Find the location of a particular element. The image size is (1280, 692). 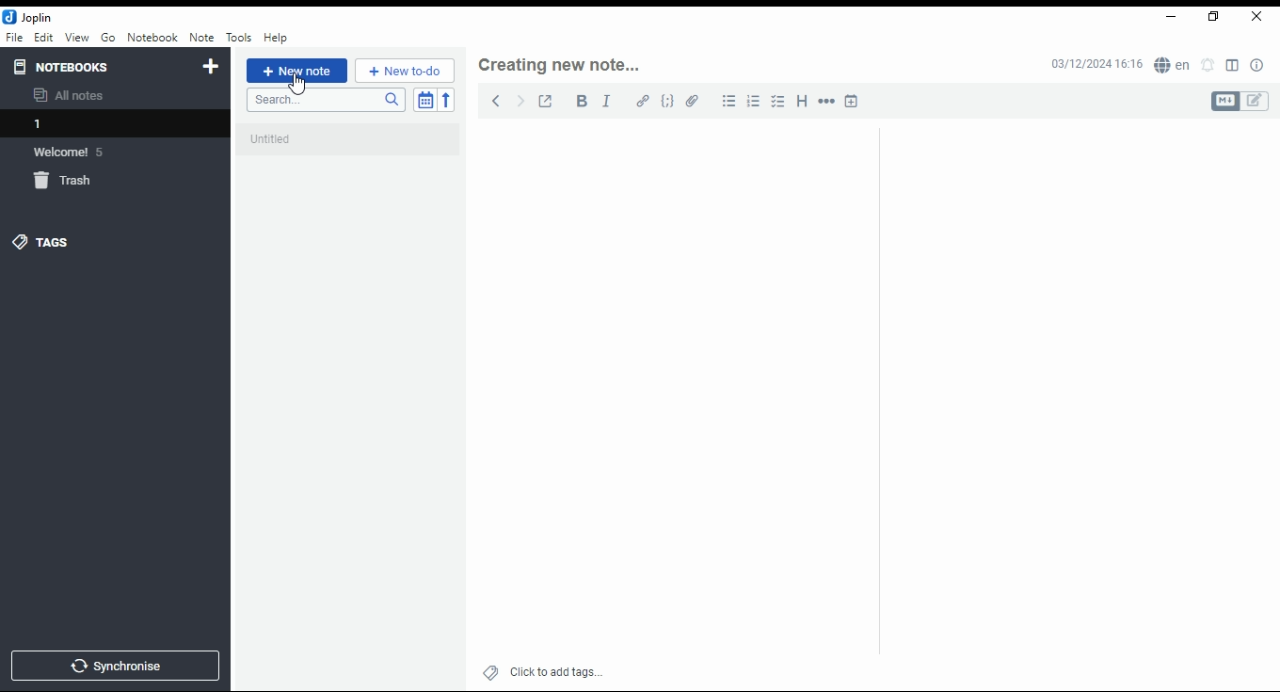

click to add tags is located at coordinates (556, 669).